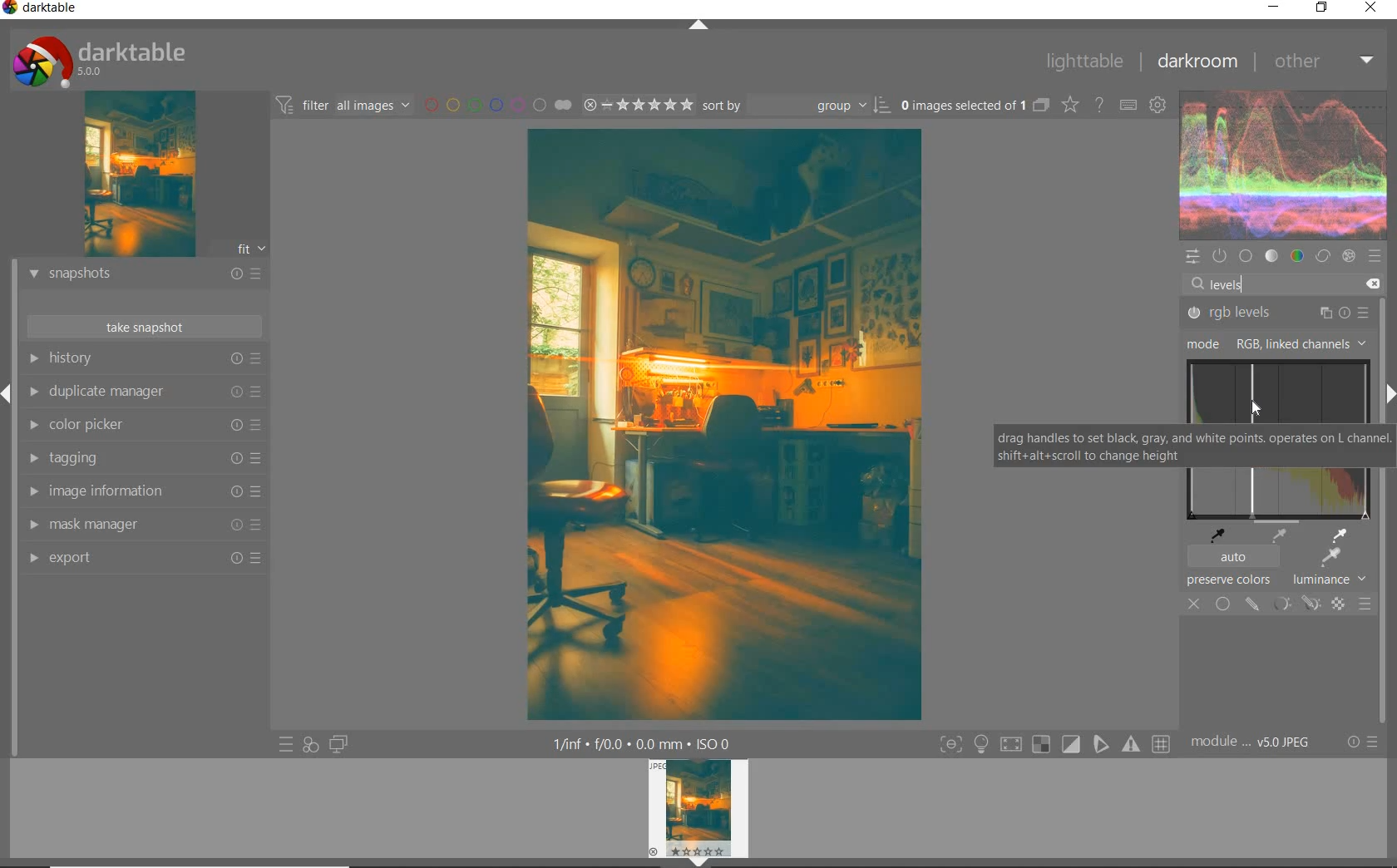 Image resolution: width=1397 pixels, height=868 pixels. I want to click on pick medium gray point from image, so click(1279, 536).